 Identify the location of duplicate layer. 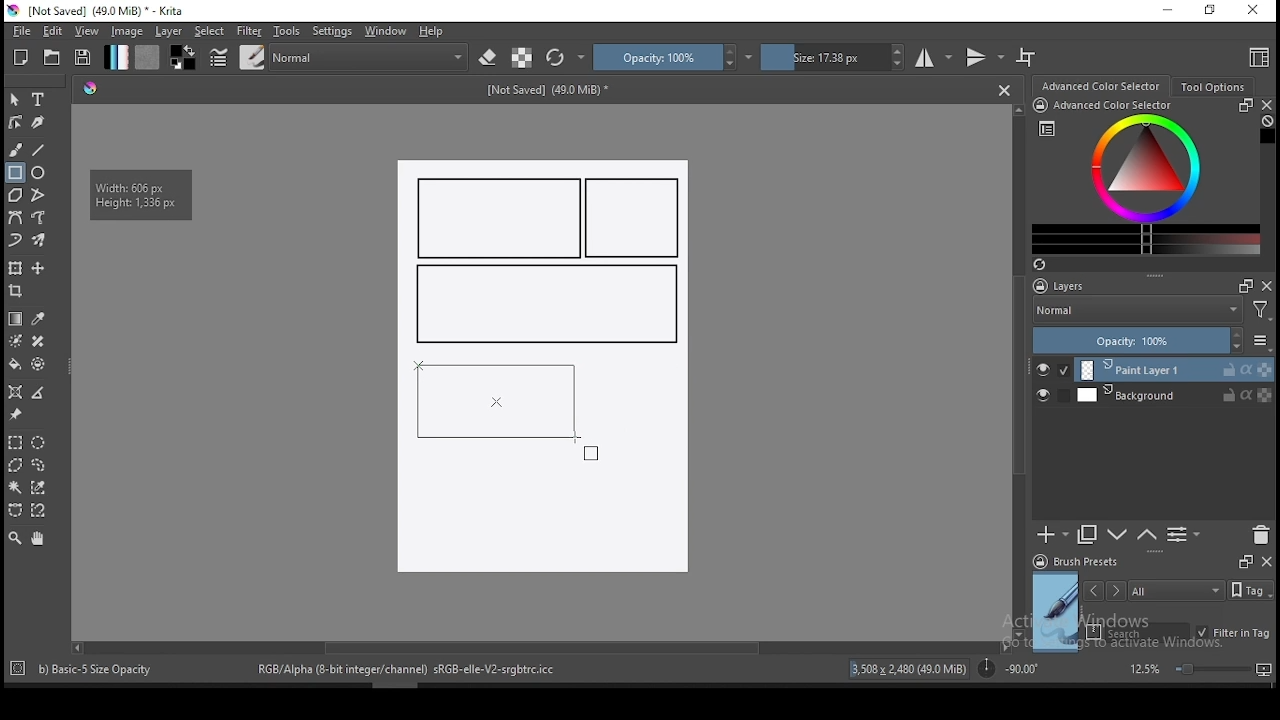
(1088, 534).